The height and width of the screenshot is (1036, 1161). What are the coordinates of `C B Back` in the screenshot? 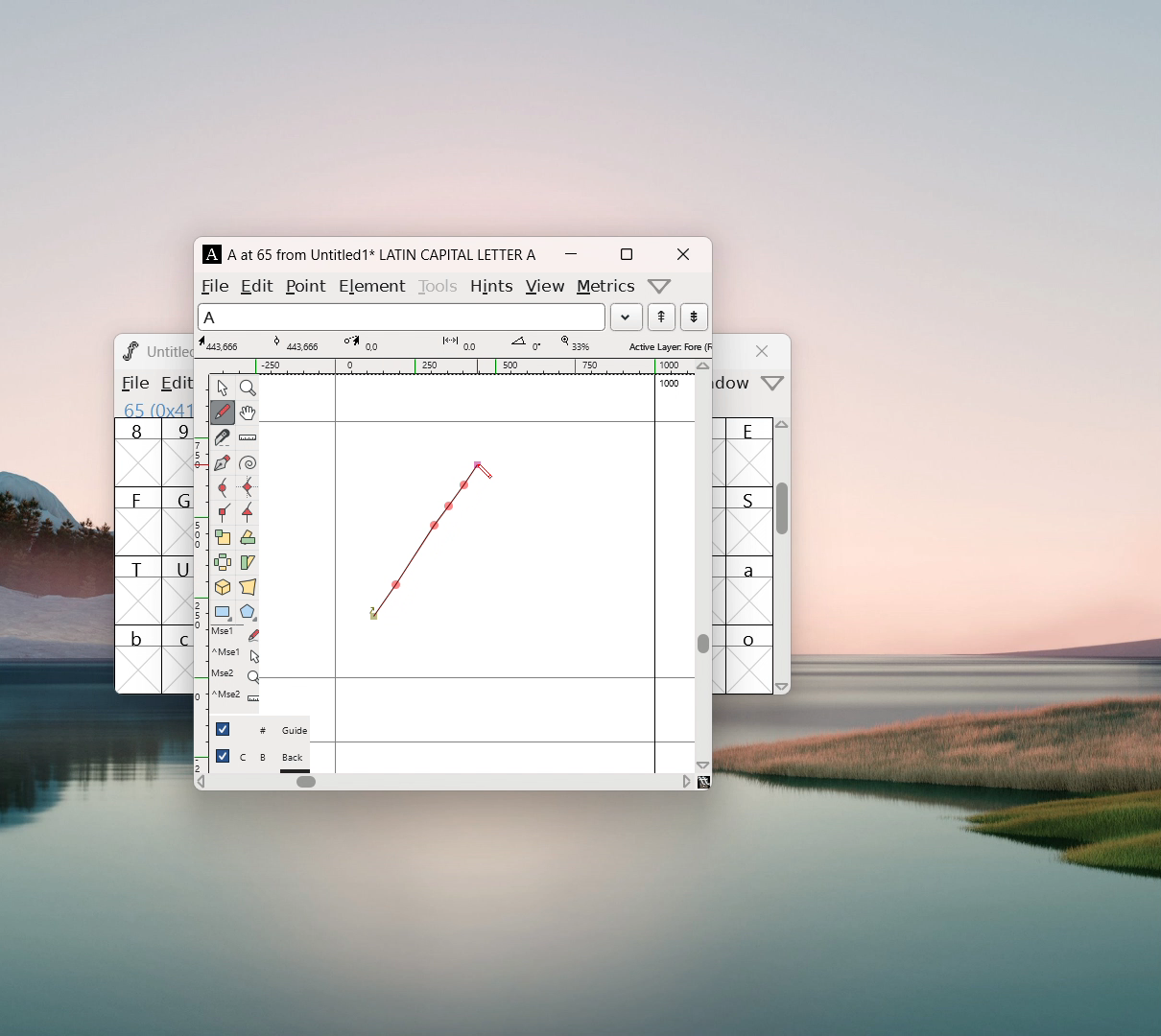 It's located at (273, 760).